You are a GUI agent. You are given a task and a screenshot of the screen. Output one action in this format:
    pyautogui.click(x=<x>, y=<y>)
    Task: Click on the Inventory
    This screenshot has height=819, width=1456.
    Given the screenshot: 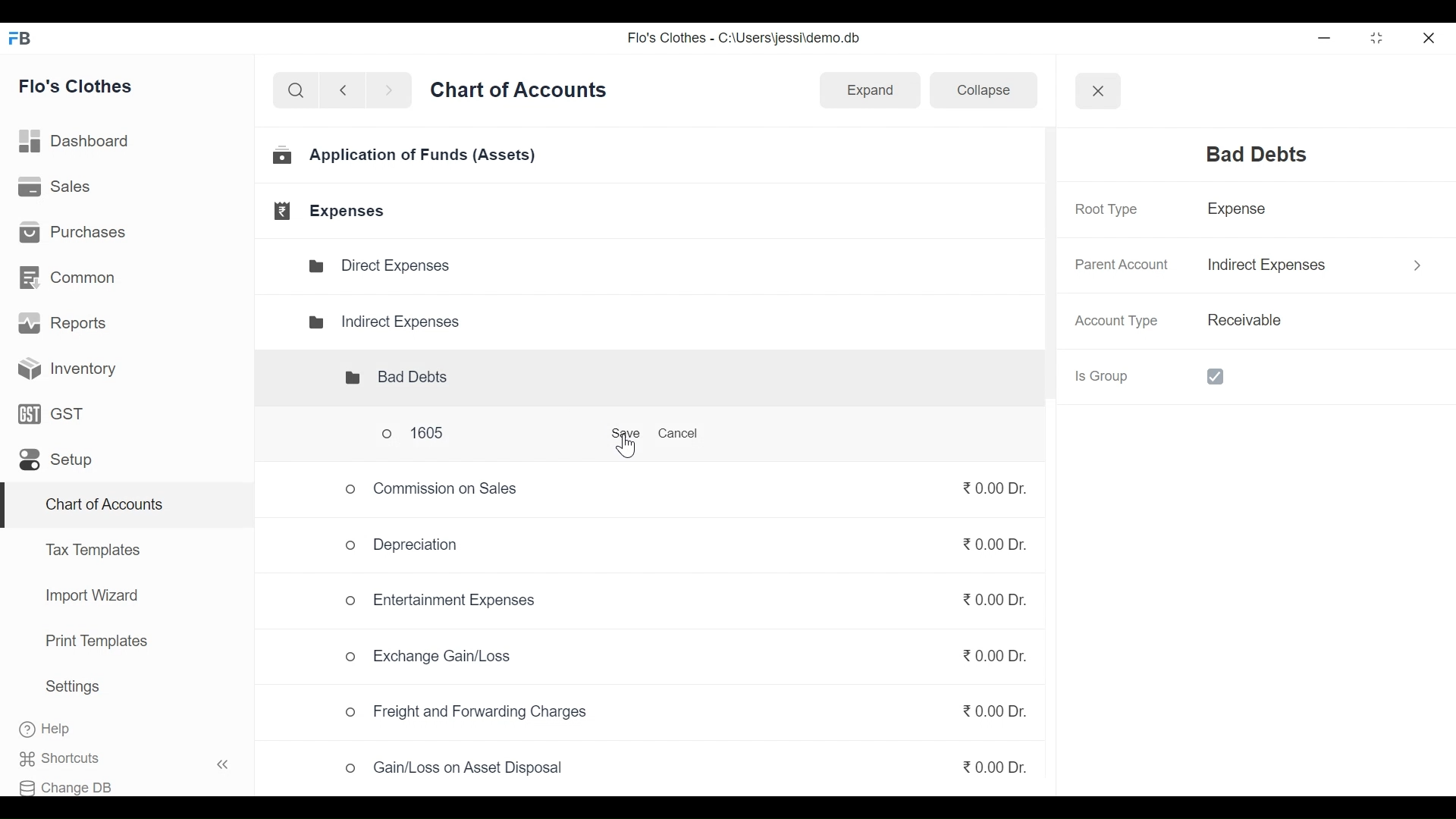 What is the action you would take?
    pyautogui.click(x=62, y=368)
    